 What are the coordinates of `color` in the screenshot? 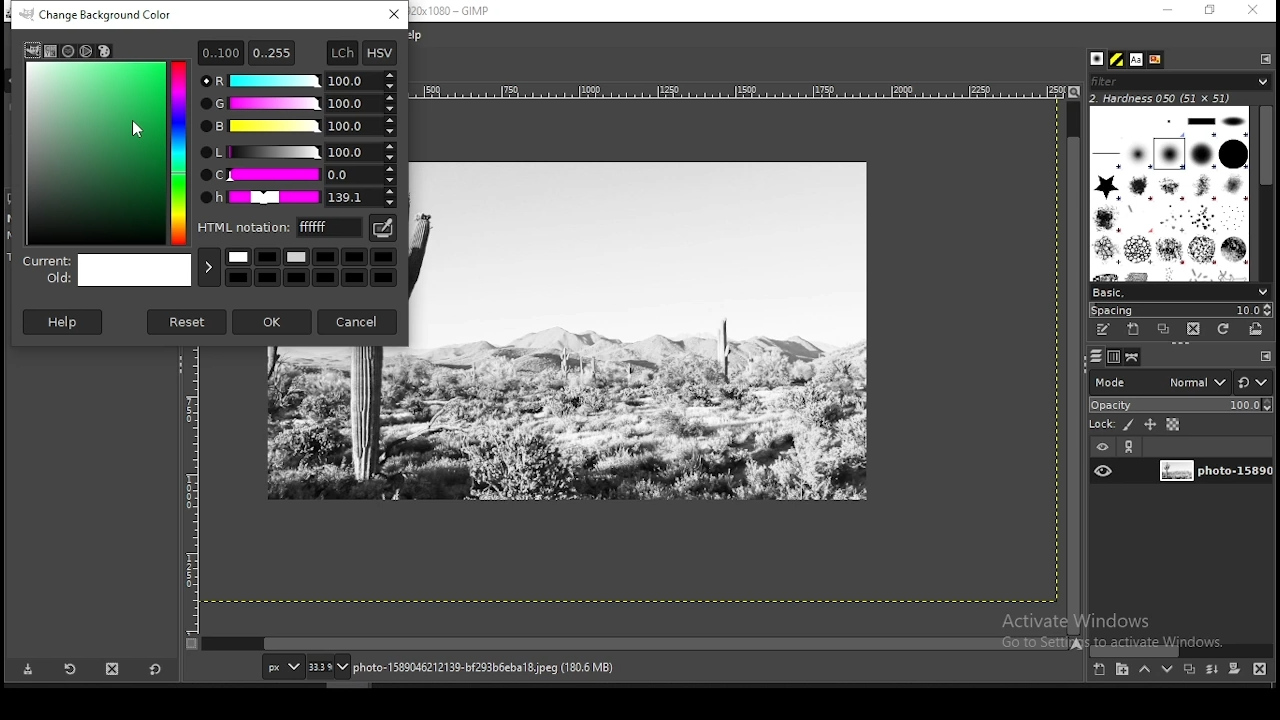 It's located at (314, 265).